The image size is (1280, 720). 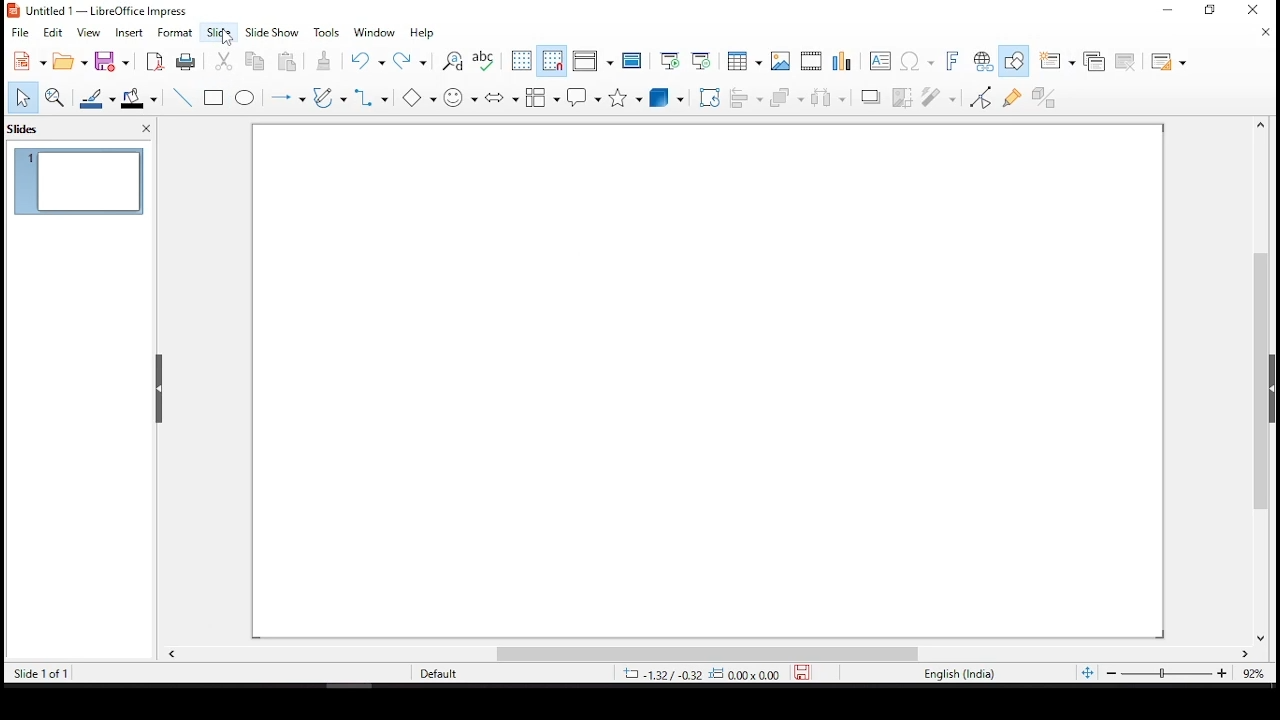 I want to click on ellipse, so click(x=247, y=98).